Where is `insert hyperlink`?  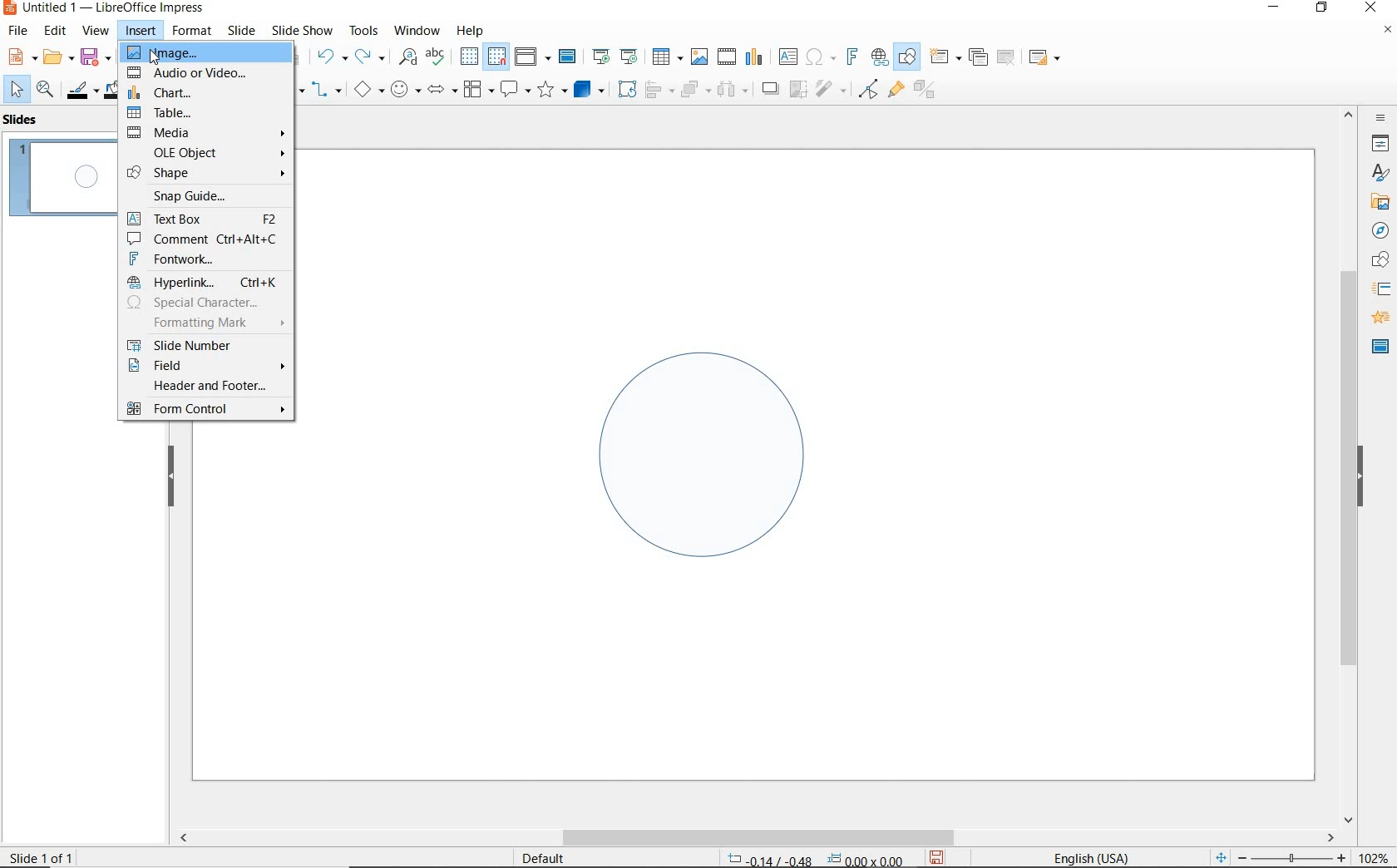 insert hyperlink is located at coordinates (880, 57).